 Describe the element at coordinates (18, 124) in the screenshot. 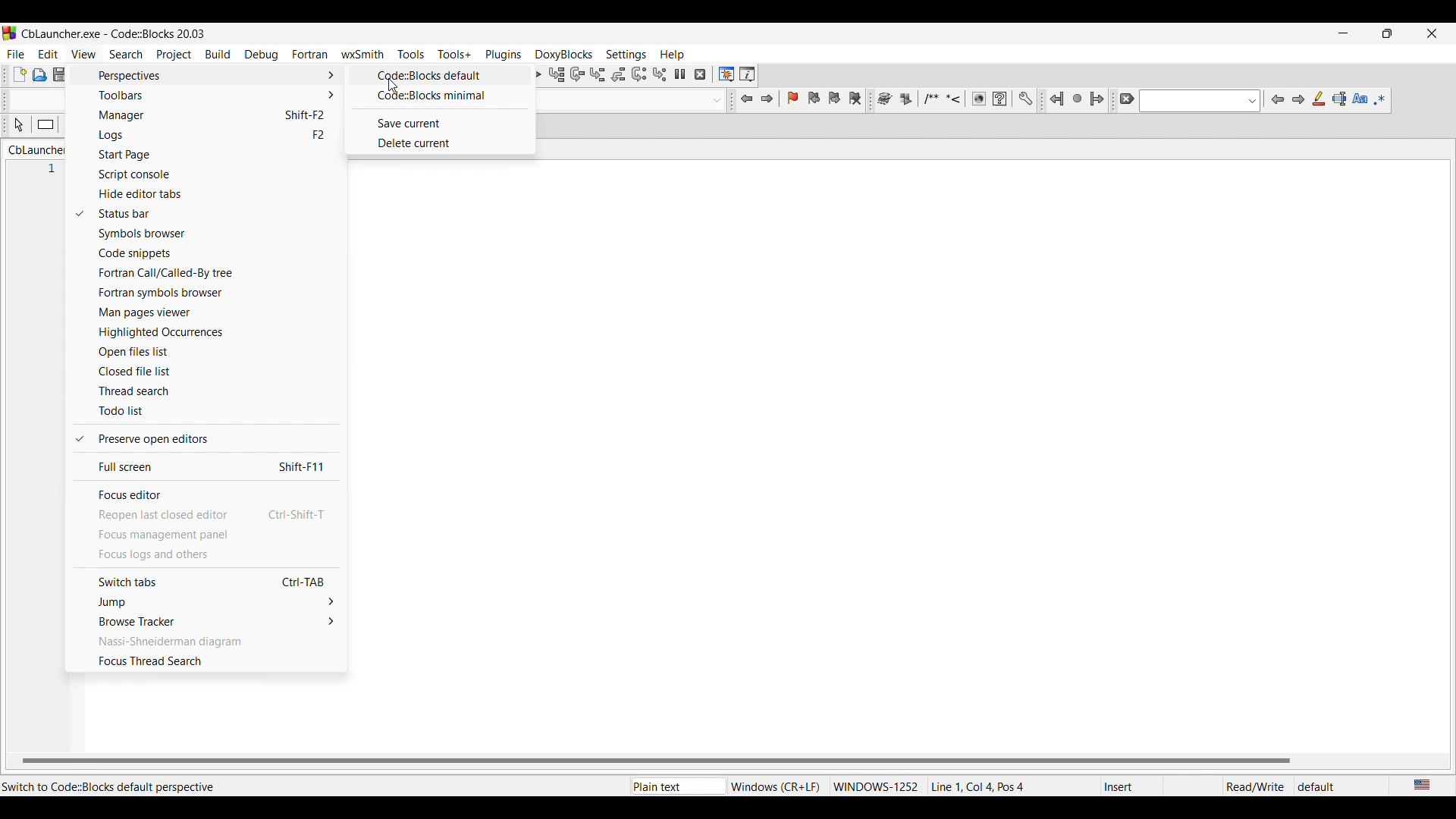

I see `Select` at that location.